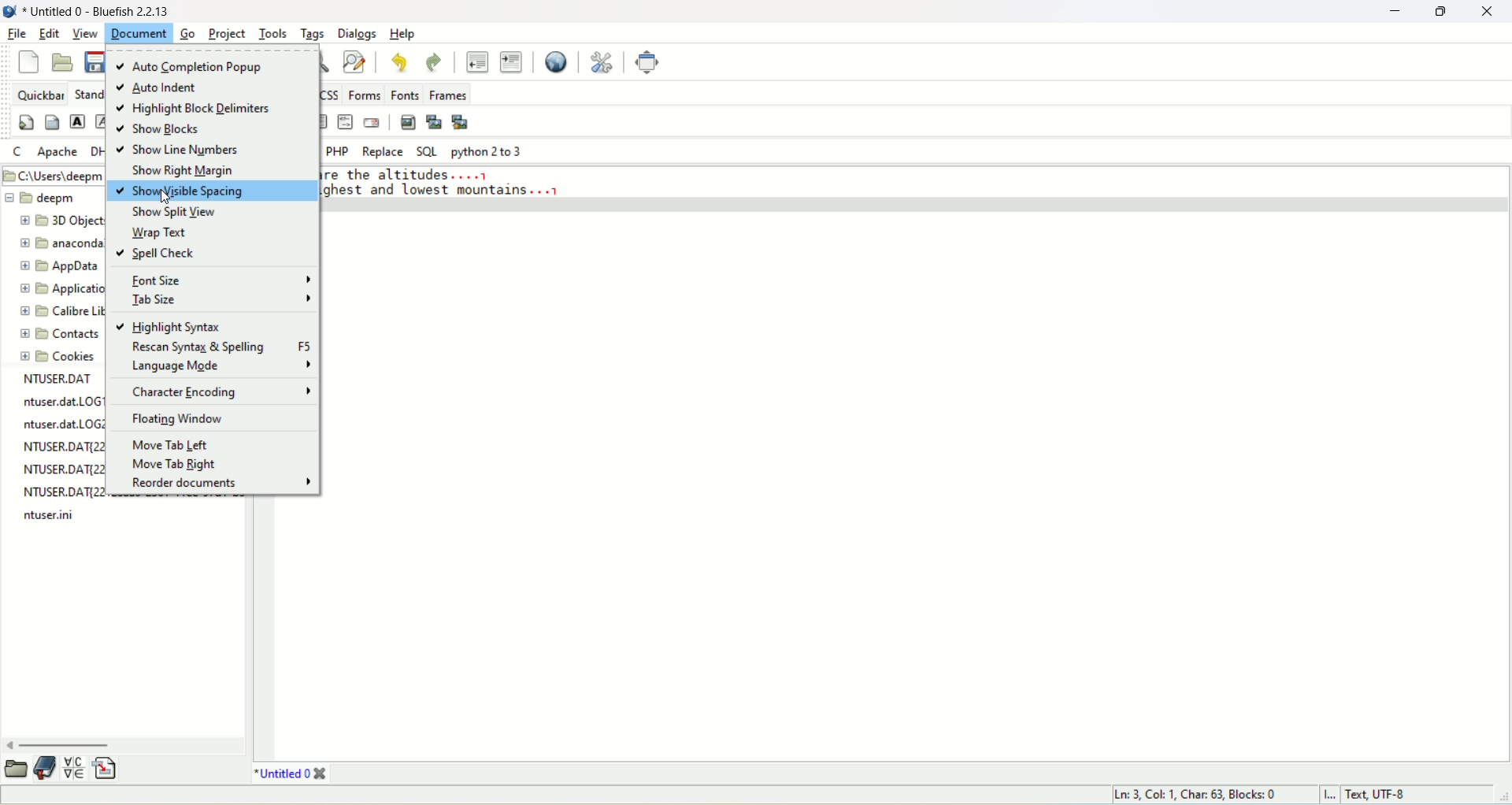 This screenshot has width=1512, height=805. Describe the element at coordinates (189, 32) in the screenshot. I see `go` at that location.